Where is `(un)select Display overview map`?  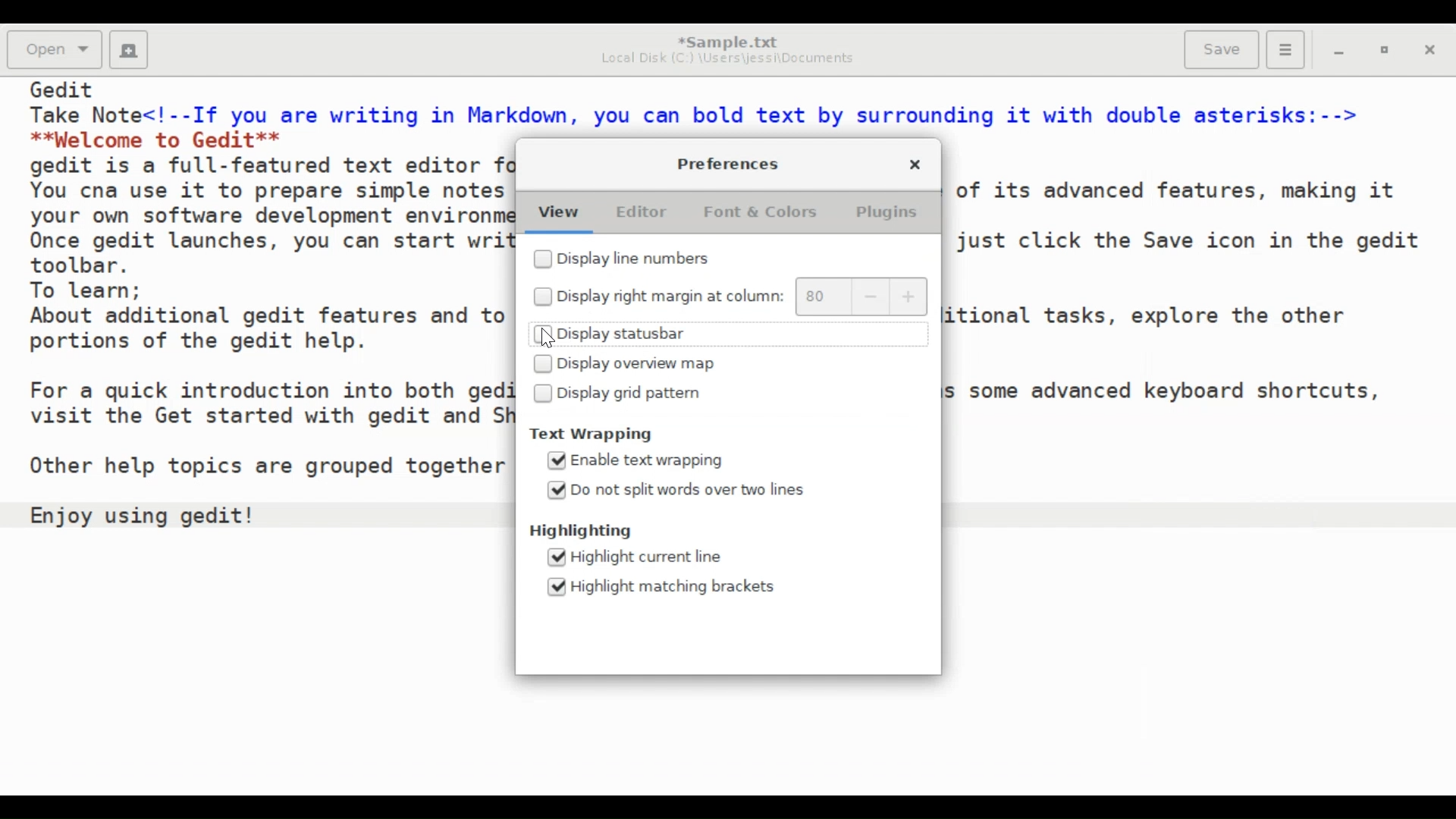
(un)select Display overview map is located at coordinates (629, 365).